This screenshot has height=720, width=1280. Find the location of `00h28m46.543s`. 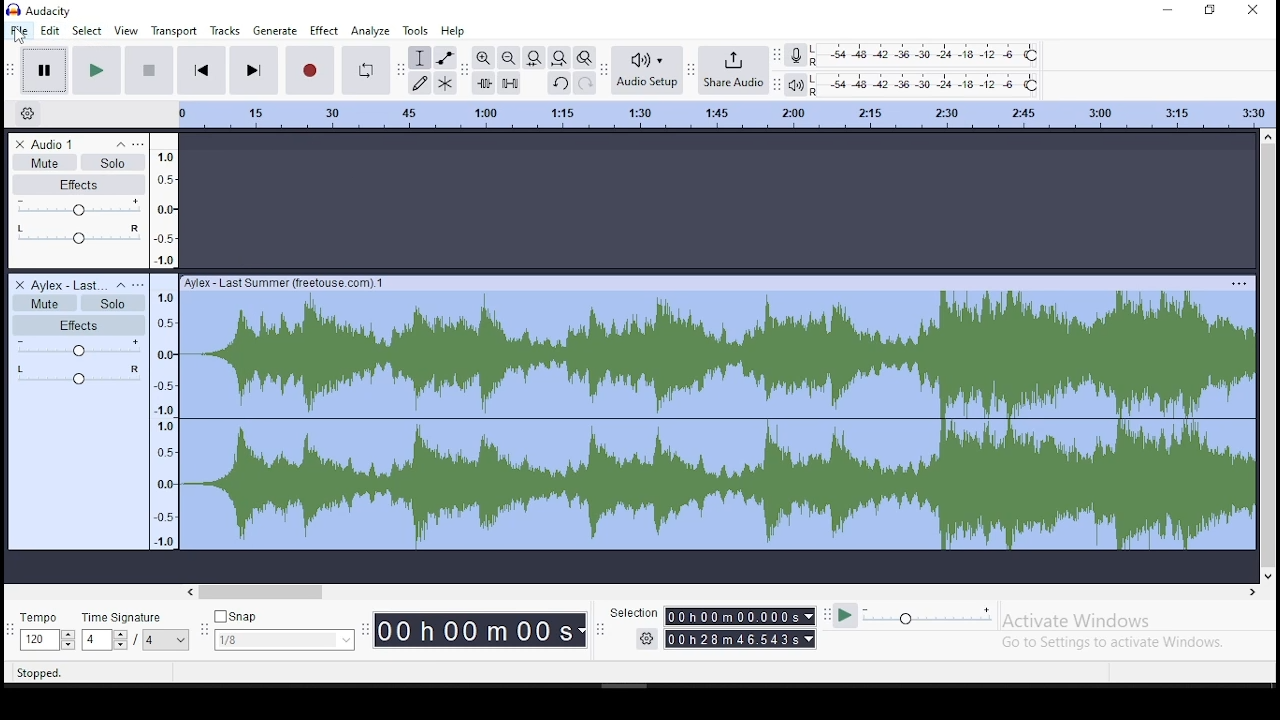

00h28m46.543s is located at coordinates (740, 640).